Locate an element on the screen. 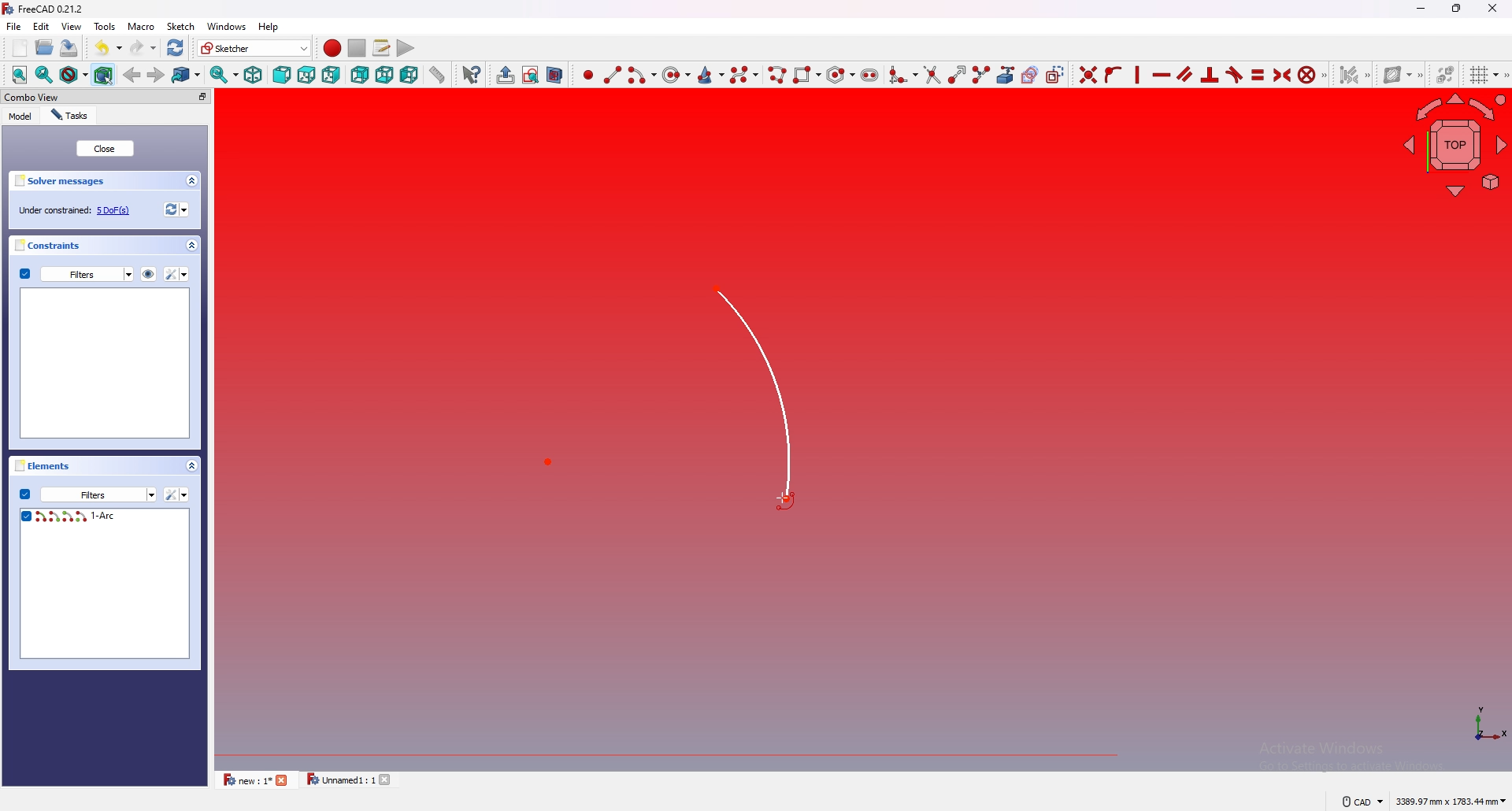  Sketch is located at coordinates (180, 26).